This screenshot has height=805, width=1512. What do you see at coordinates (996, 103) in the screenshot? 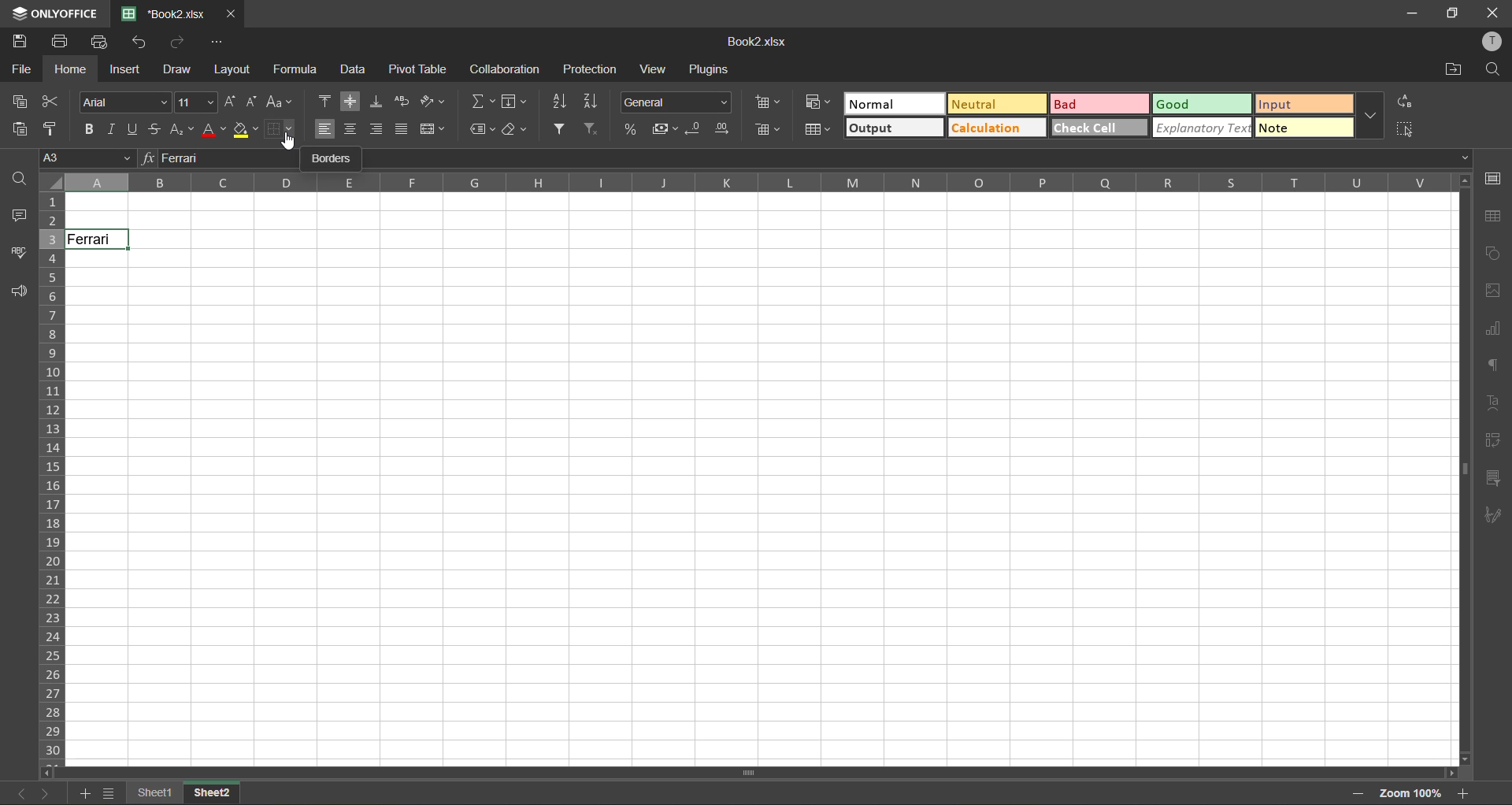
I see `neutral` at bounding box center [996, 103].